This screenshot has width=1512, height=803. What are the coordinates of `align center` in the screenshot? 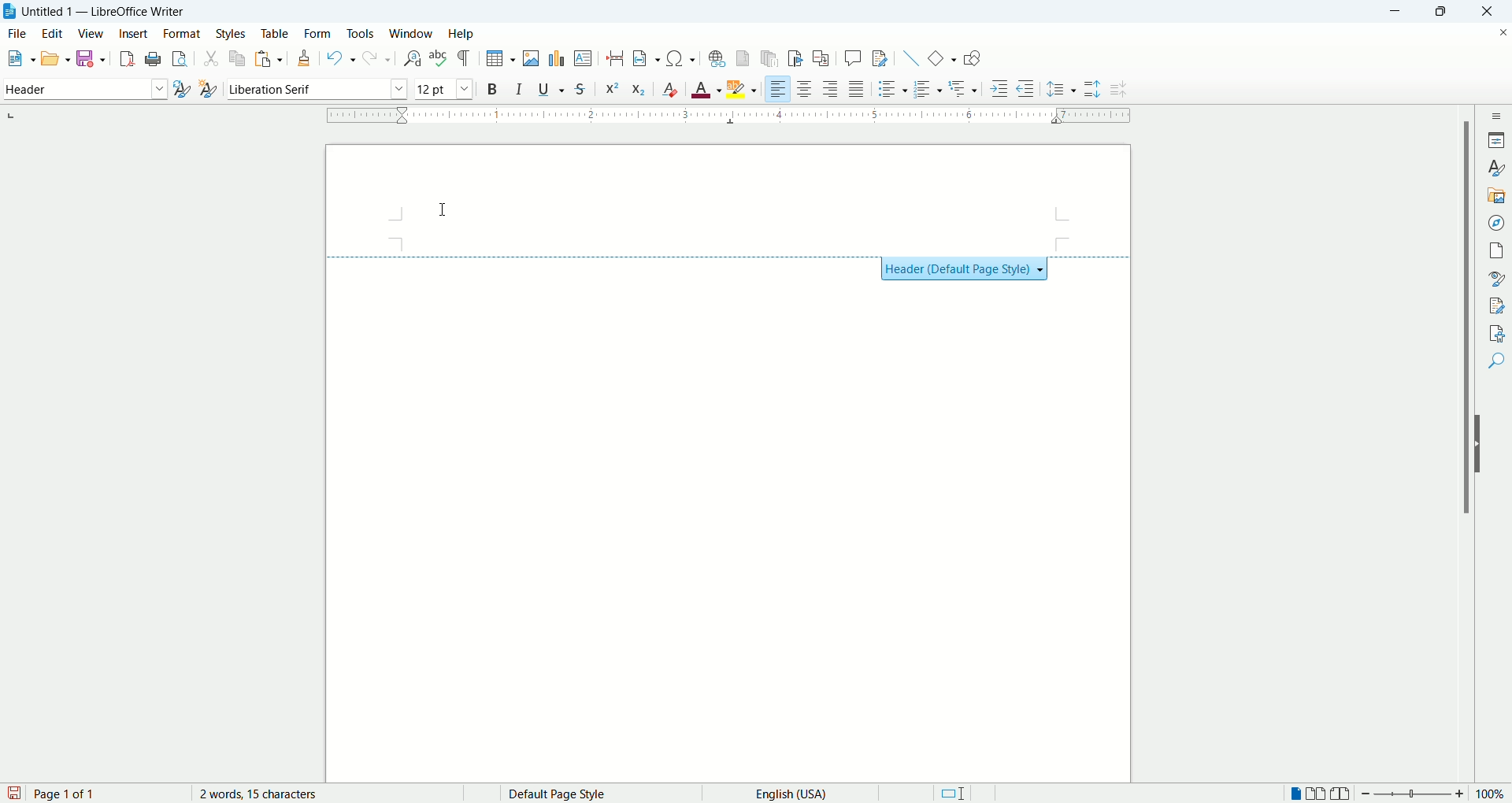 It's located at (802, 87).